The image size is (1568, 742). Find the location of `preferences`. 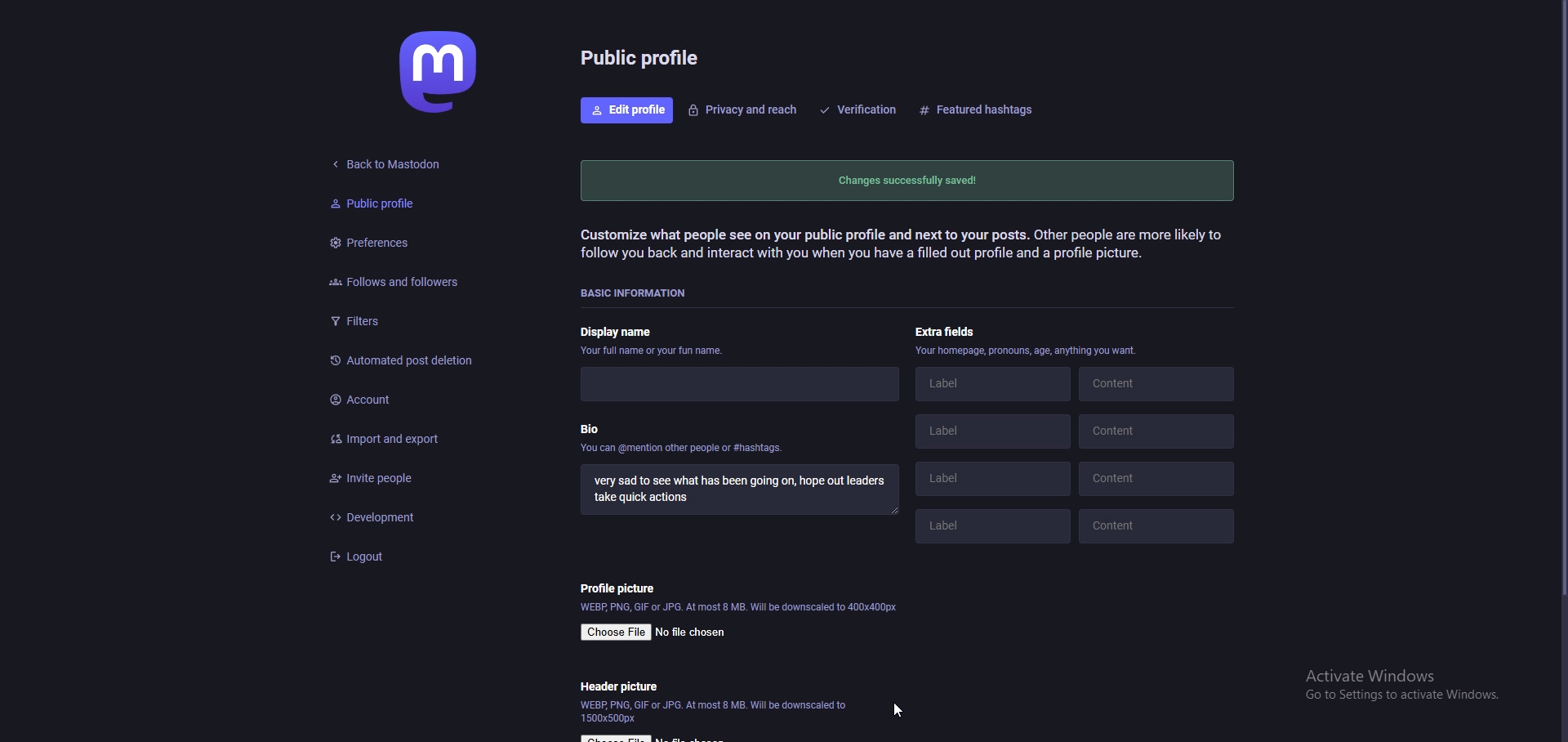

preferences is located at coordinates (403, 242).